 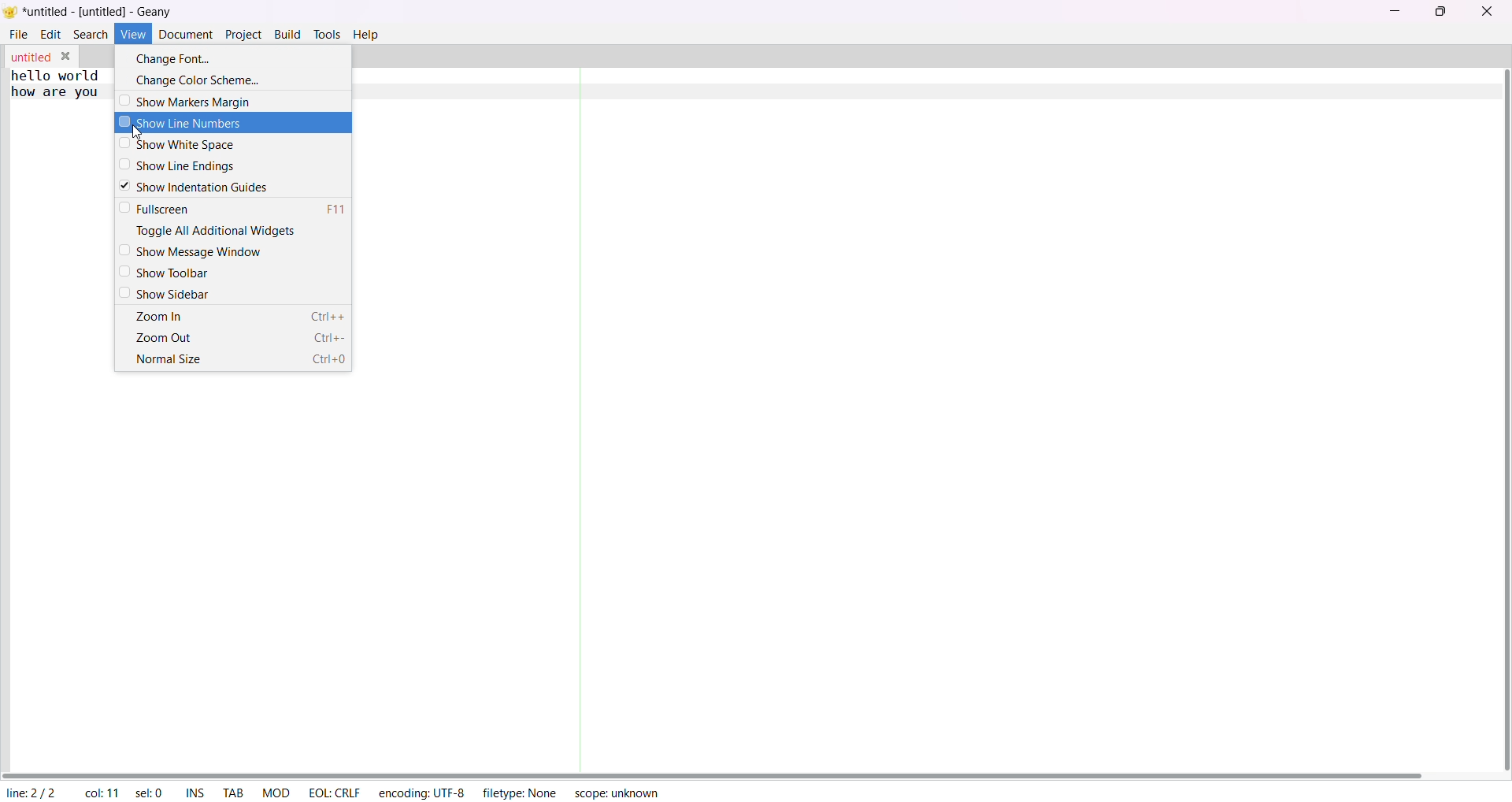 What do you see at coordinates (195, 793) in the screenshot?
I see `ins` at bounding box center [195, 793].